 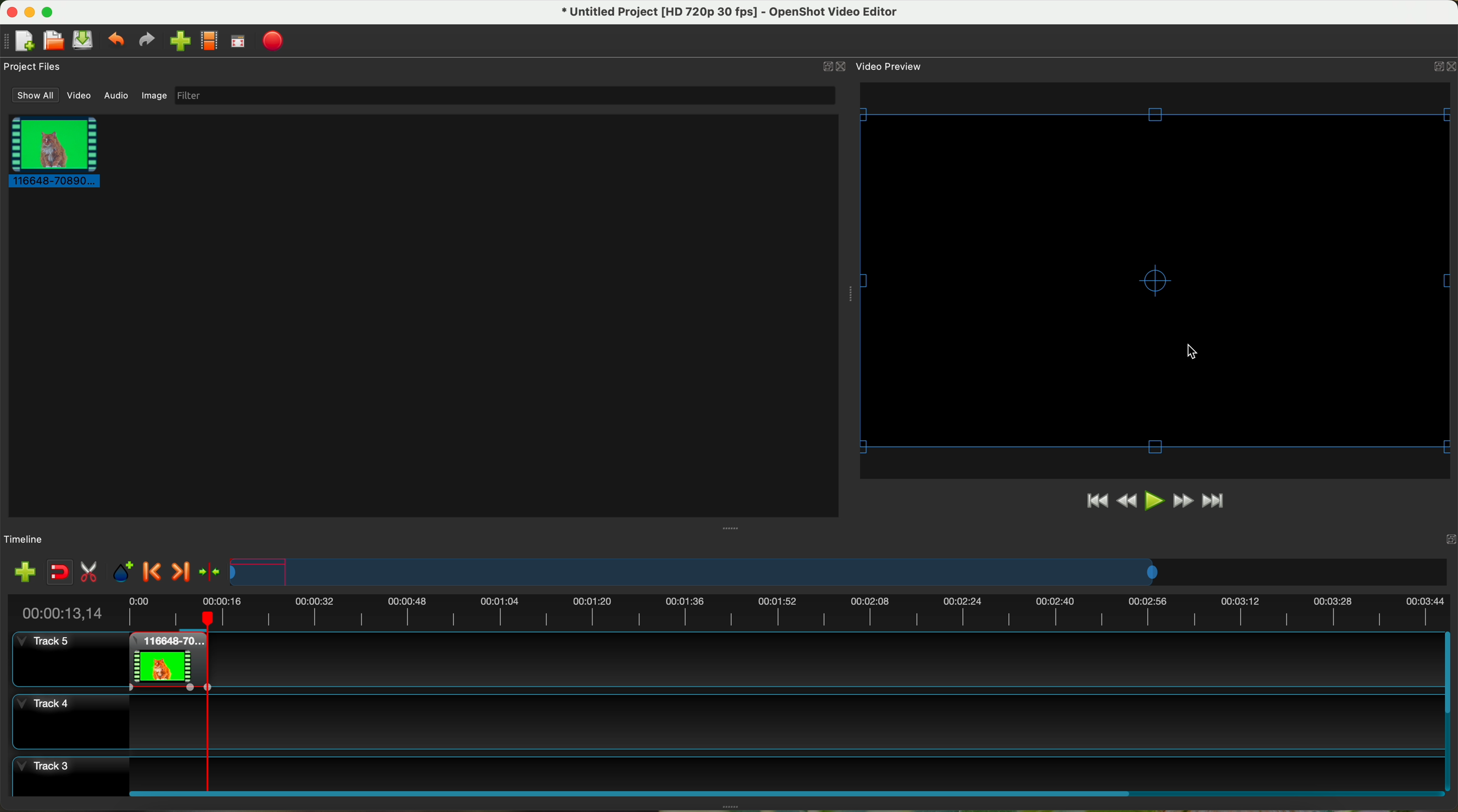 I want to click on rewind, so click(x=1128, y=501).